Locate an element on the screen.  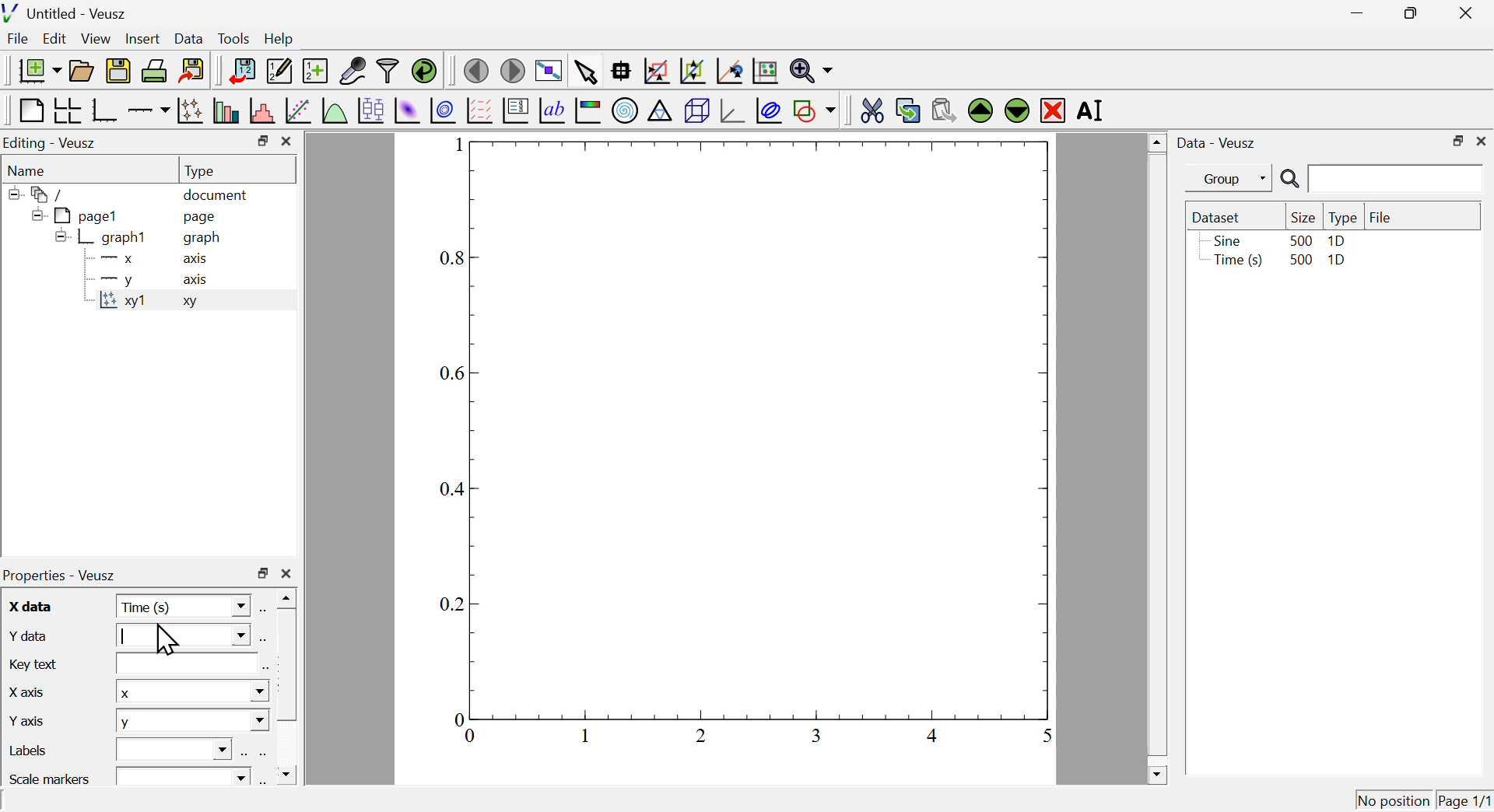
graph is located at coordinates (202, 238).